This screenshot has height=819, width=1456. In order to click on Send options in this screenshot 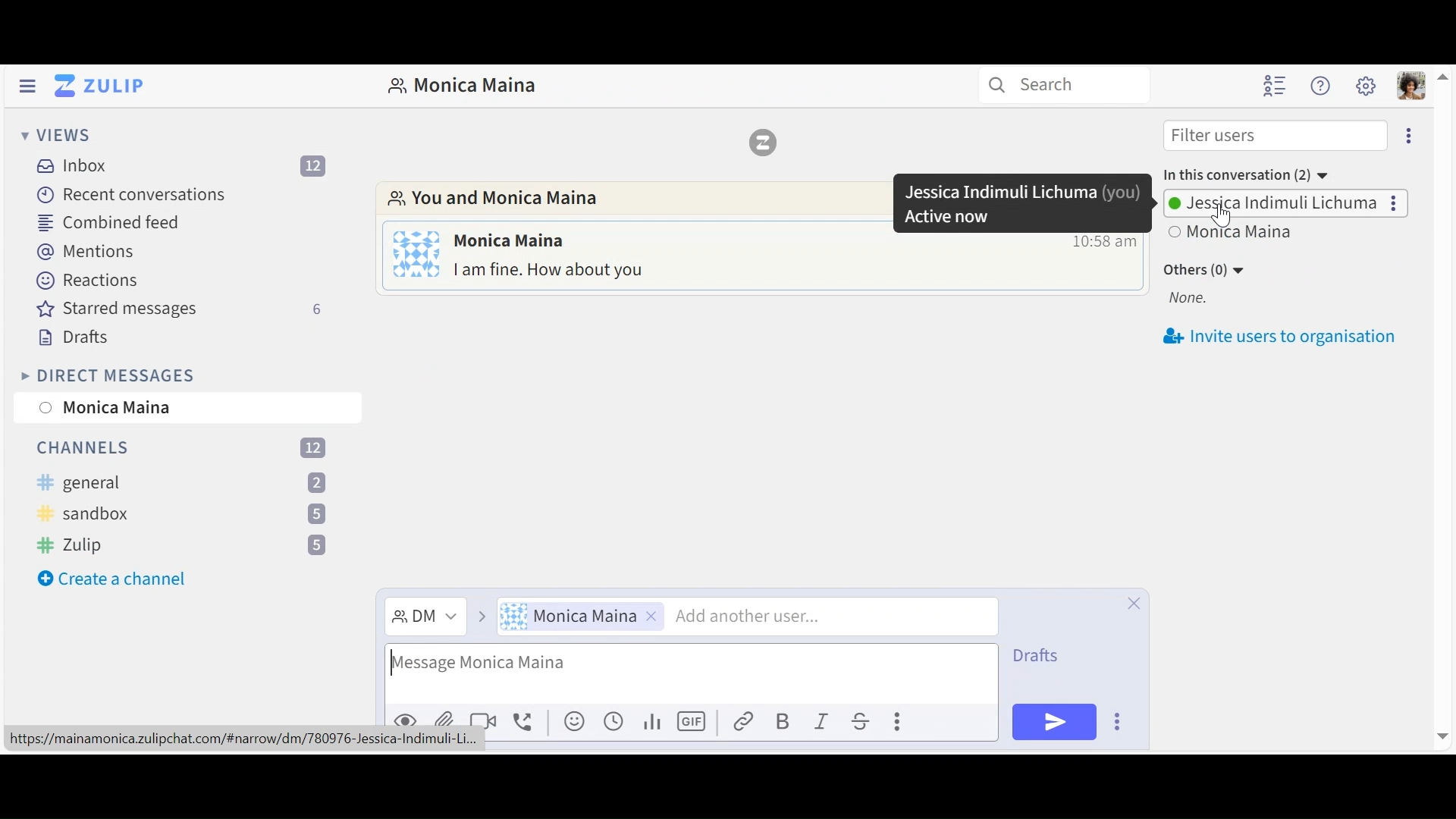, I will do `click(1121, 723)`.